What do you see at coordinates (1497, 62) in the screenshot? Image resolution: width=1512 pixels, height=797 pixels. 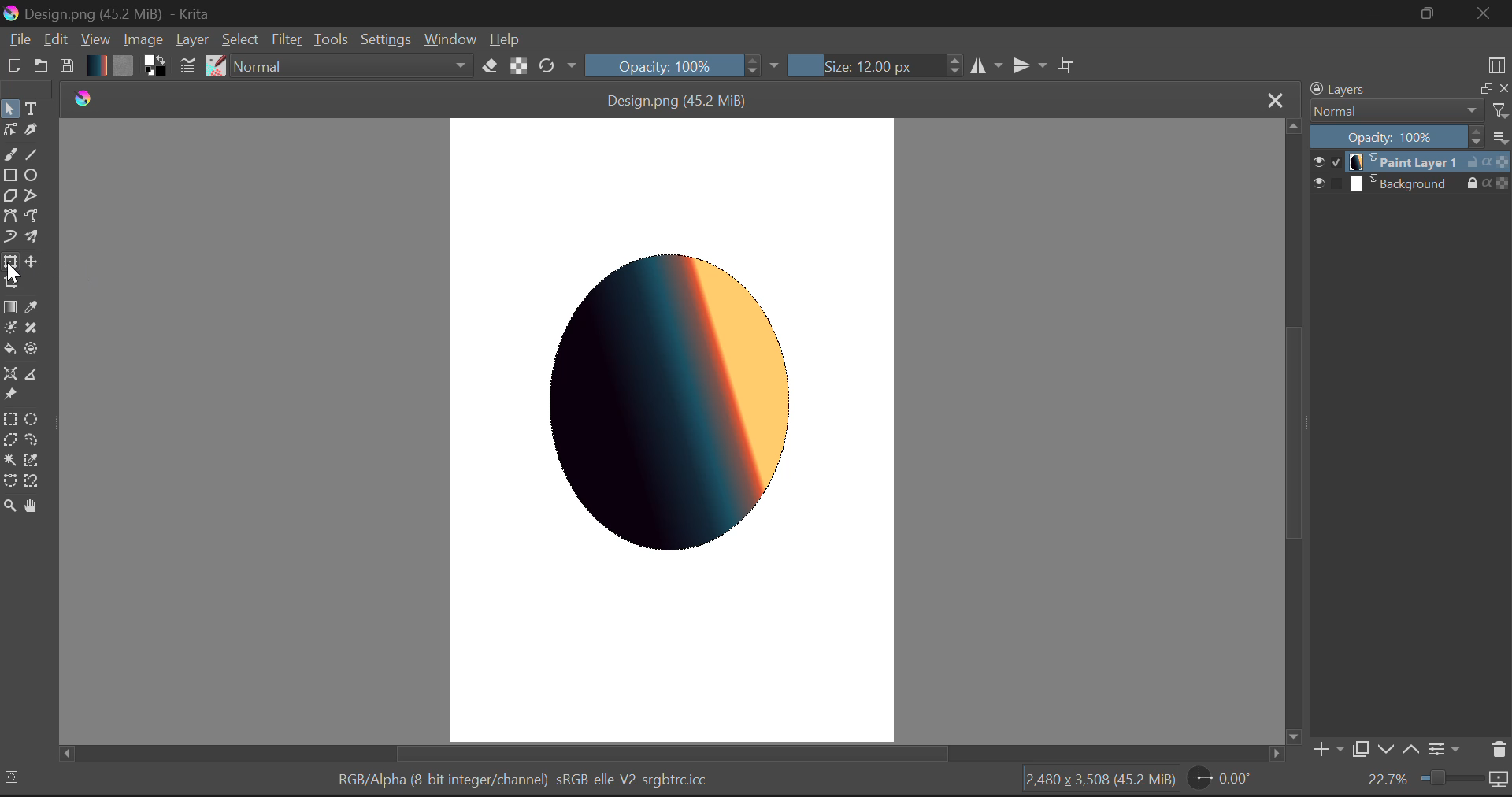 I see `Choose Workspace` at bounding box center [1497, 62].